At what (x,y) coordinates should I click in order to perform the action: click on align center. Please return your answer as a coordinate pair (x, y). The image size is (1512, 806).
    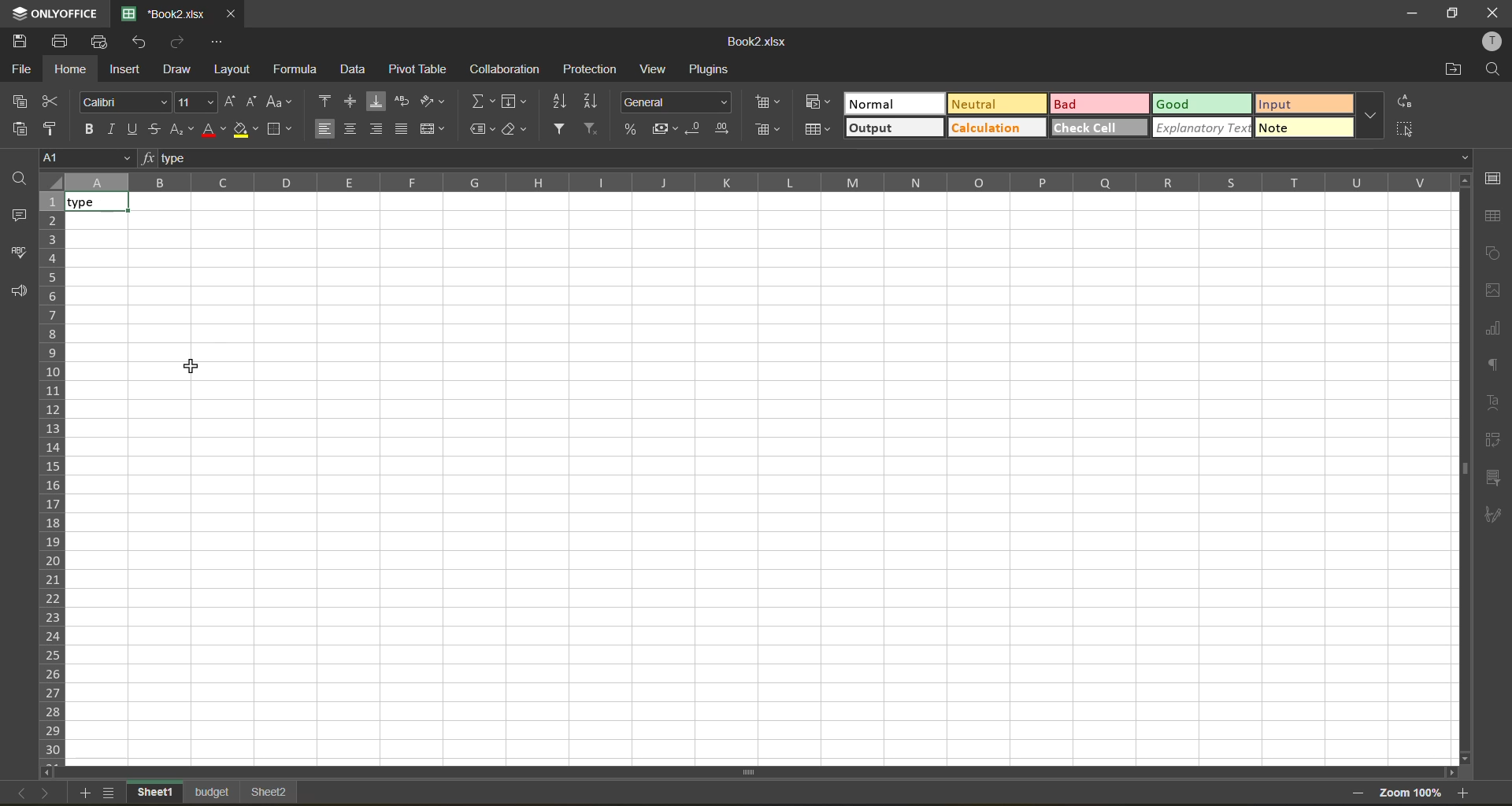
    Looking at the image, I should click on (357, 125).